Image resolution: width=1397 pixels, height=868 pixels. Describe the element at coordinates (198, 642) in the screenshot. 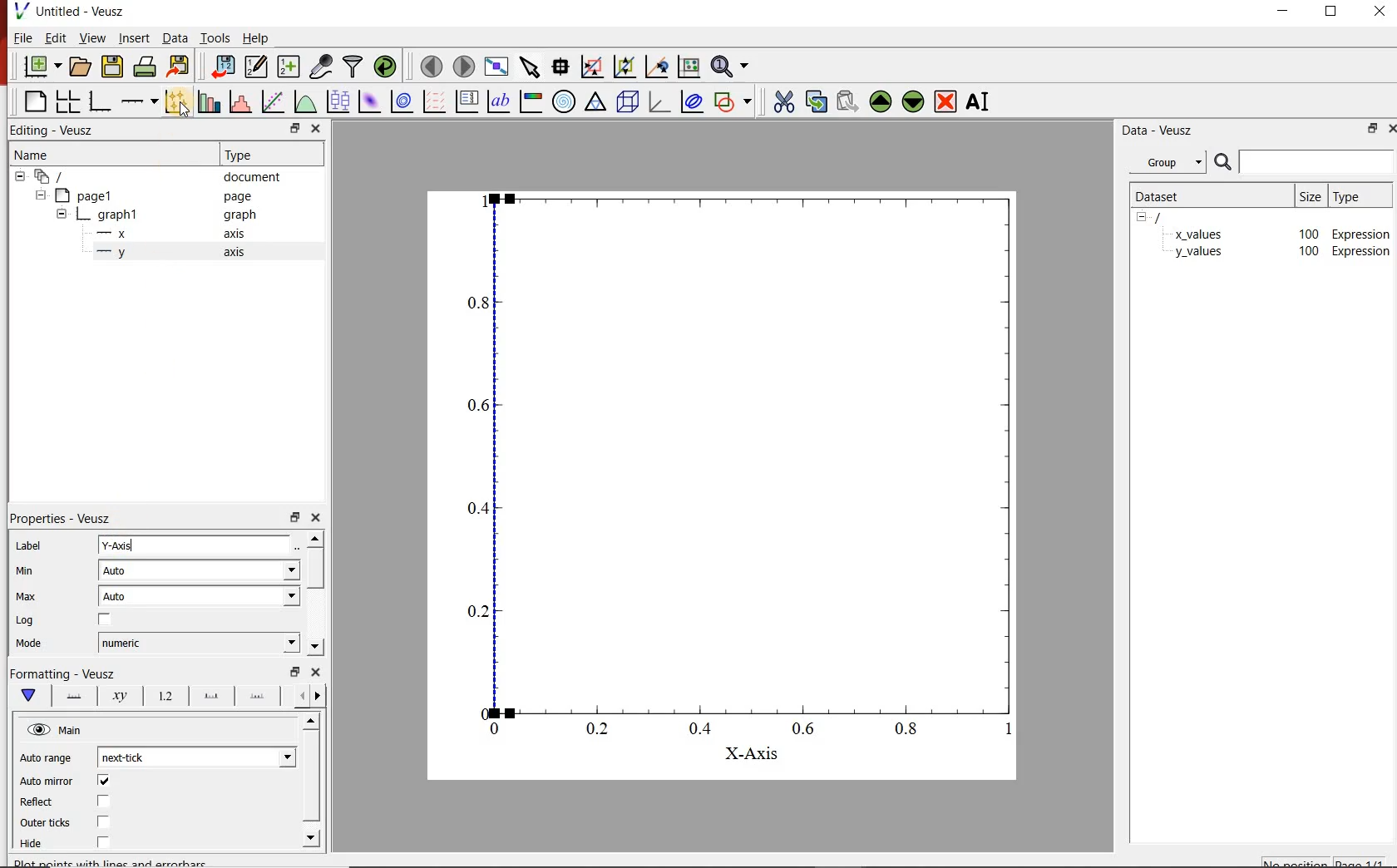

I see `numeric` at that location.